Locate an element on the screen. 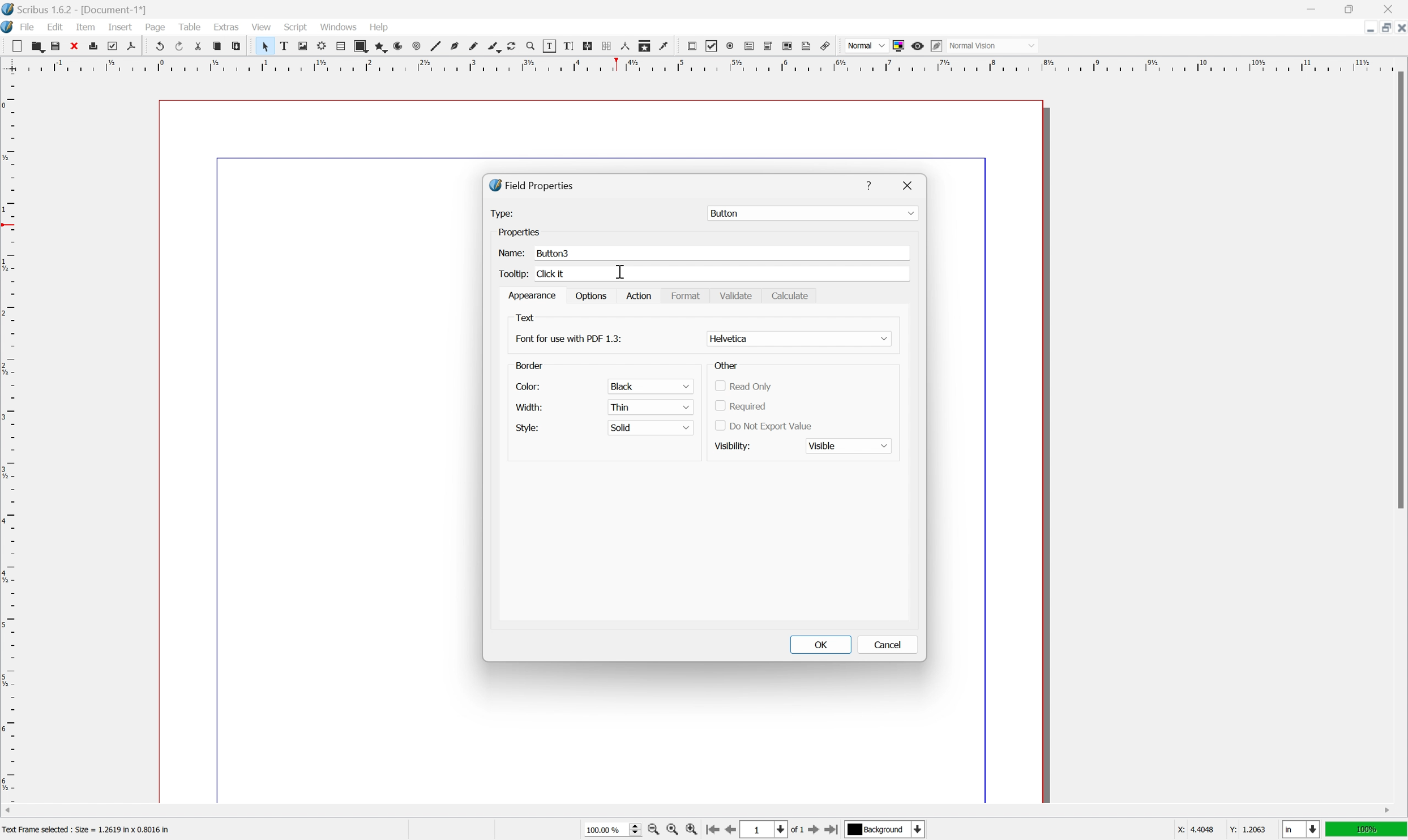  save is located at coordinates (54, 46).